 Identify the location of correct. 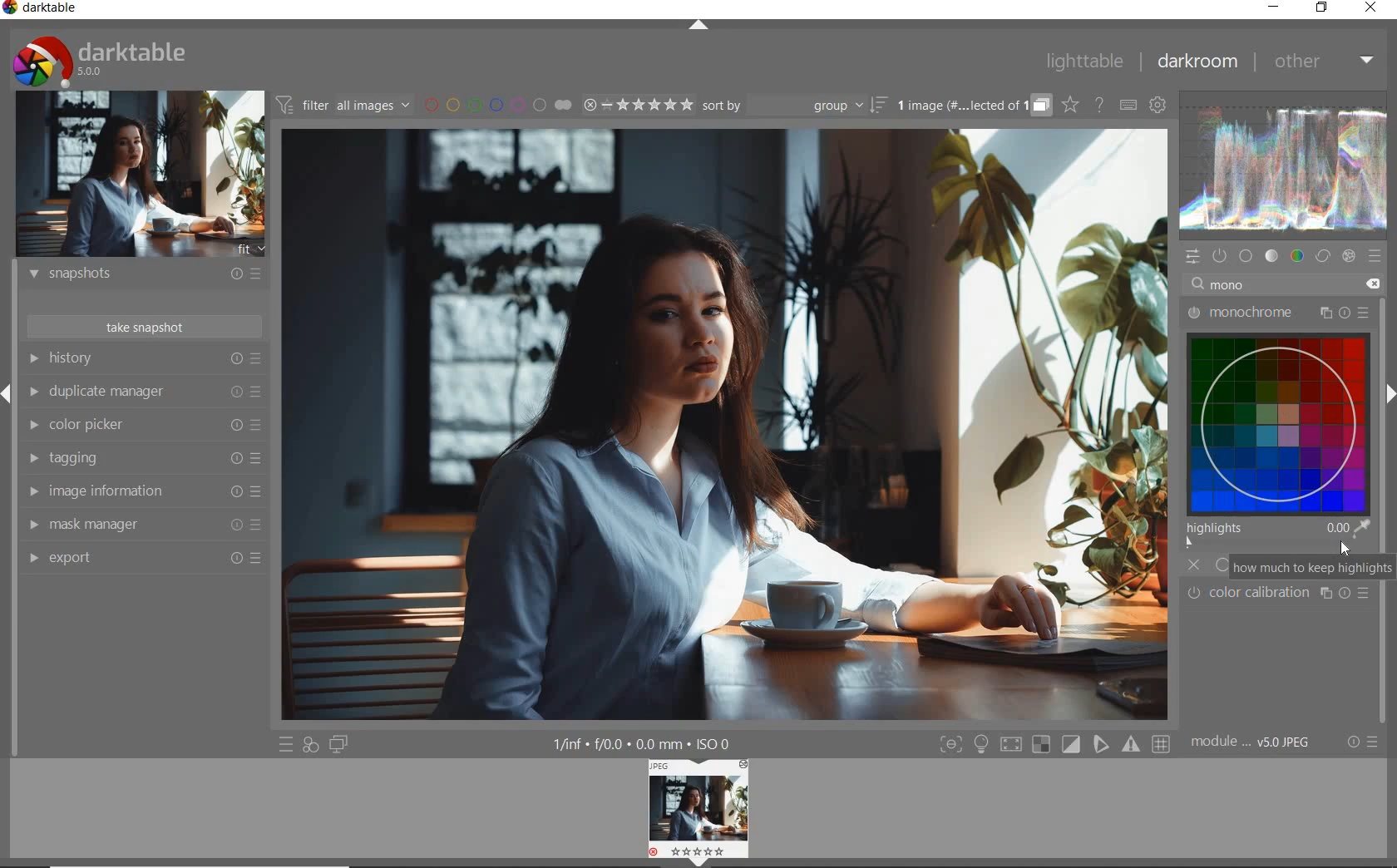
(1322, 254).